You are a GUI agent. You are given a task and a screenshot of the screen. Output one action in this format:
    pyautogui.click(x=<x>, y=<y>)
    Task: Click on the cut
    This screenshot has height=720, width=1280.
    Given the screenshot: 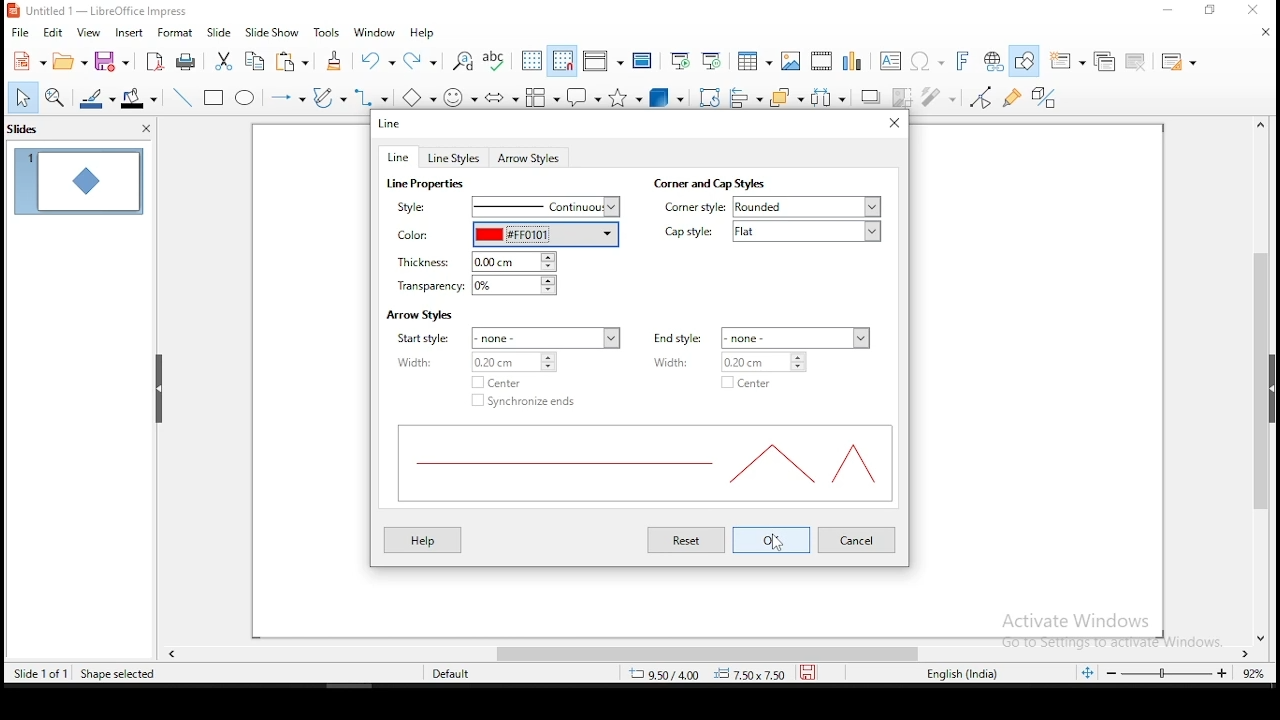 What is the action you would take?
    pyautogui.click(x=224, y=63)
    